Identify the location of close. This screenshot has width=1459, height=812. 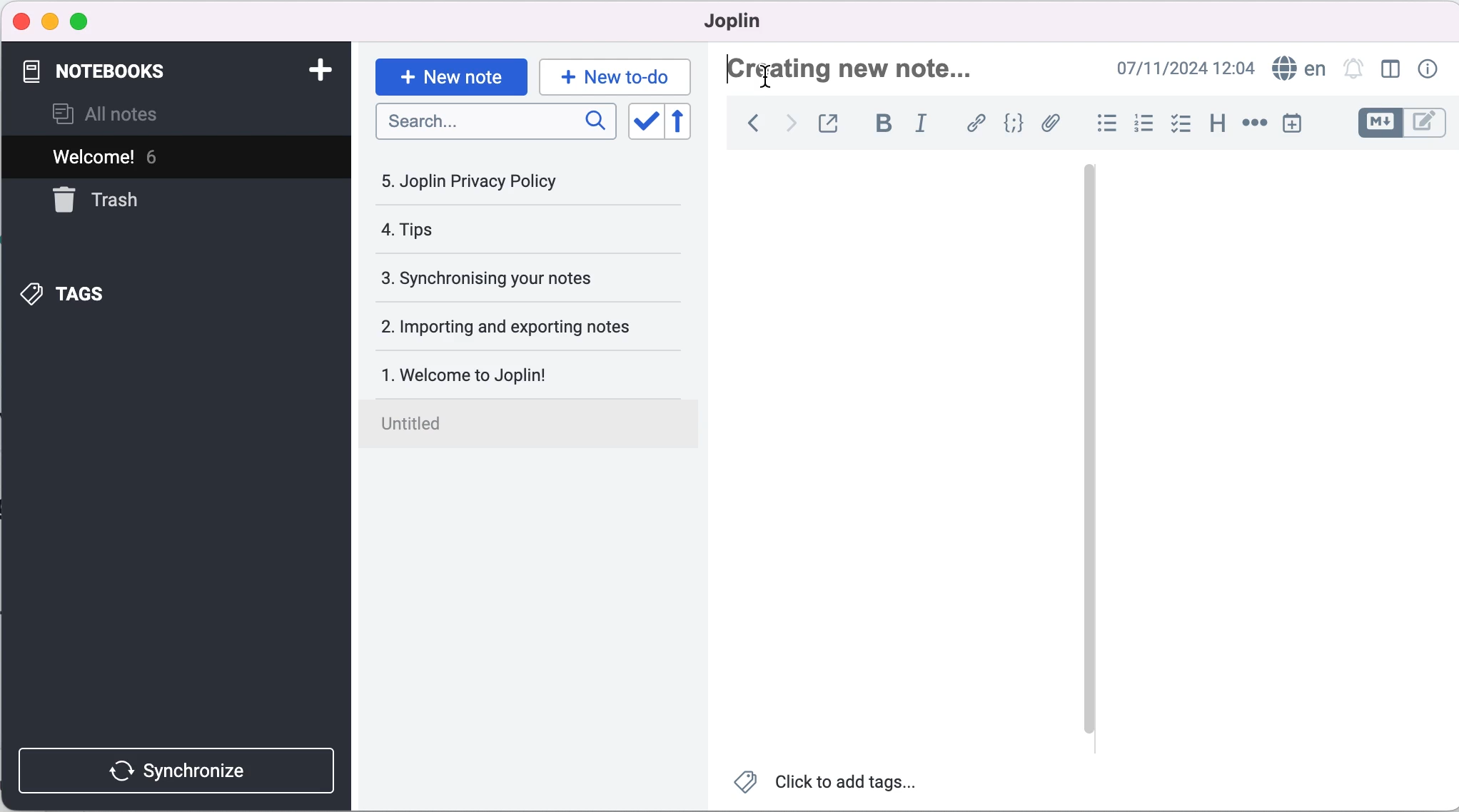
(22, 19).